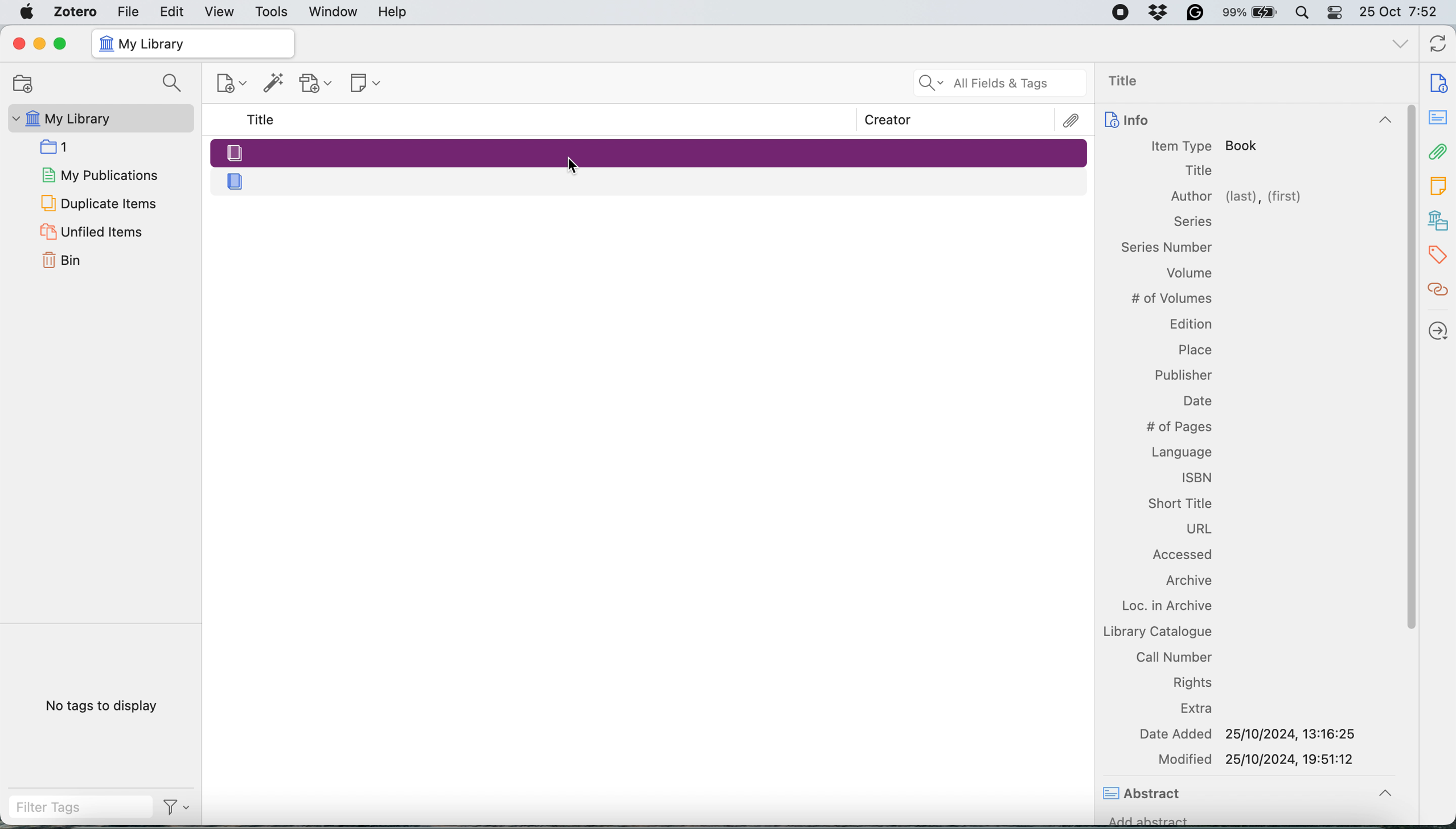  Describe the element at coordinates (1246, 121) in the screenshot. I see `Info` at that location.